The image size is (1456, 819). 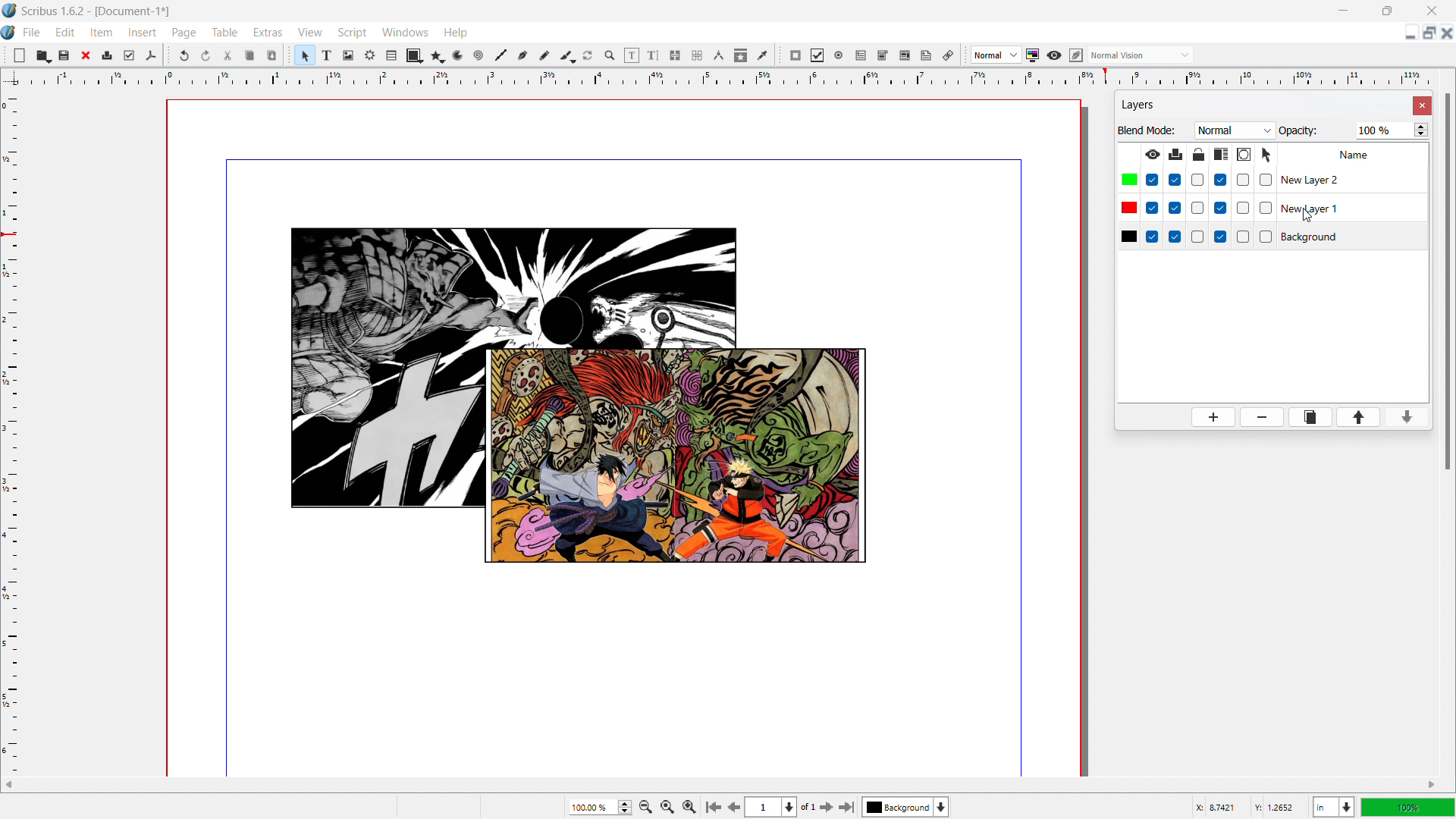 I want to click on logo, so click(x=9, y=11).